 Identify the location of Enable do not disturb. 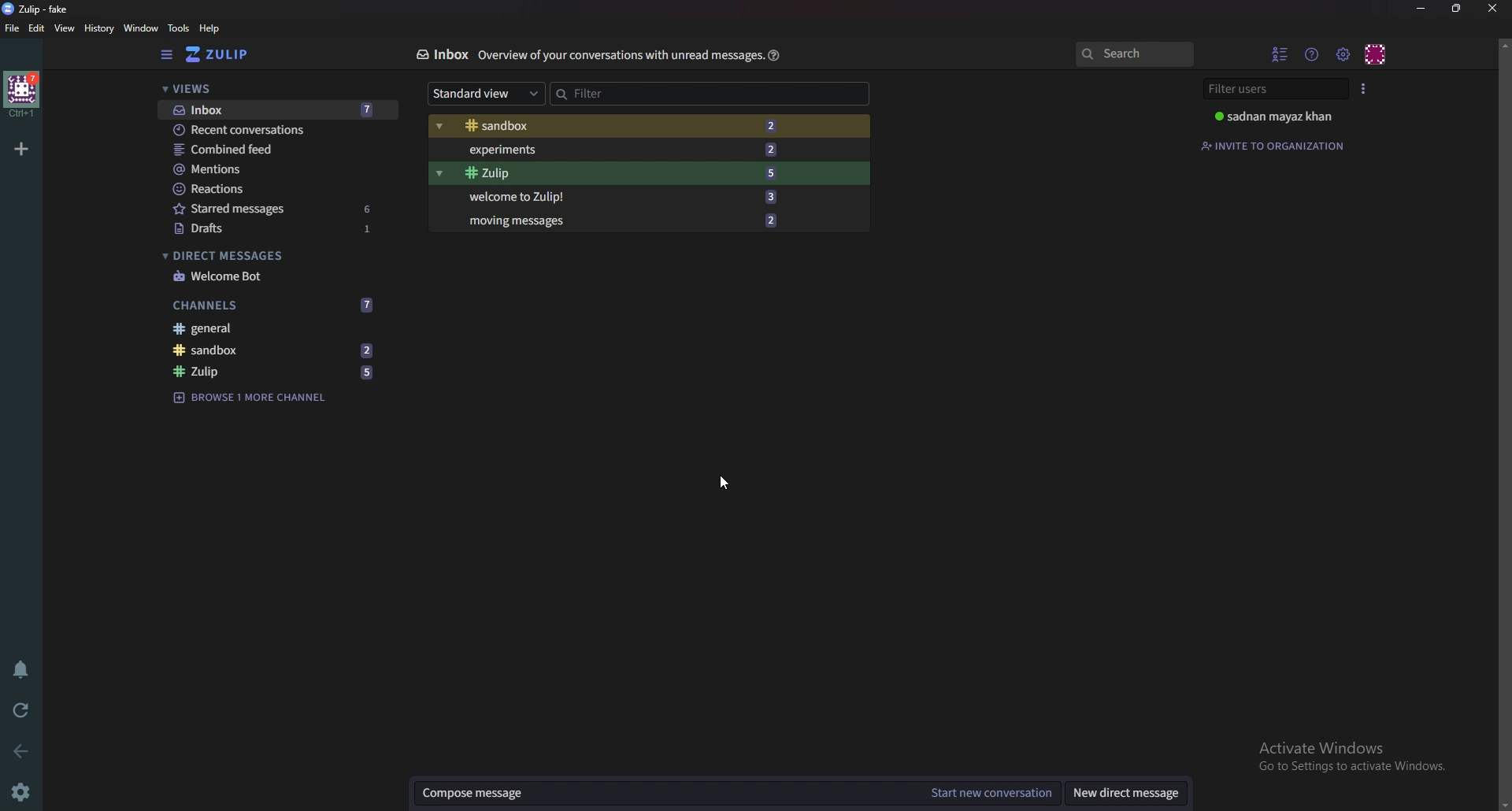
(25, 670).